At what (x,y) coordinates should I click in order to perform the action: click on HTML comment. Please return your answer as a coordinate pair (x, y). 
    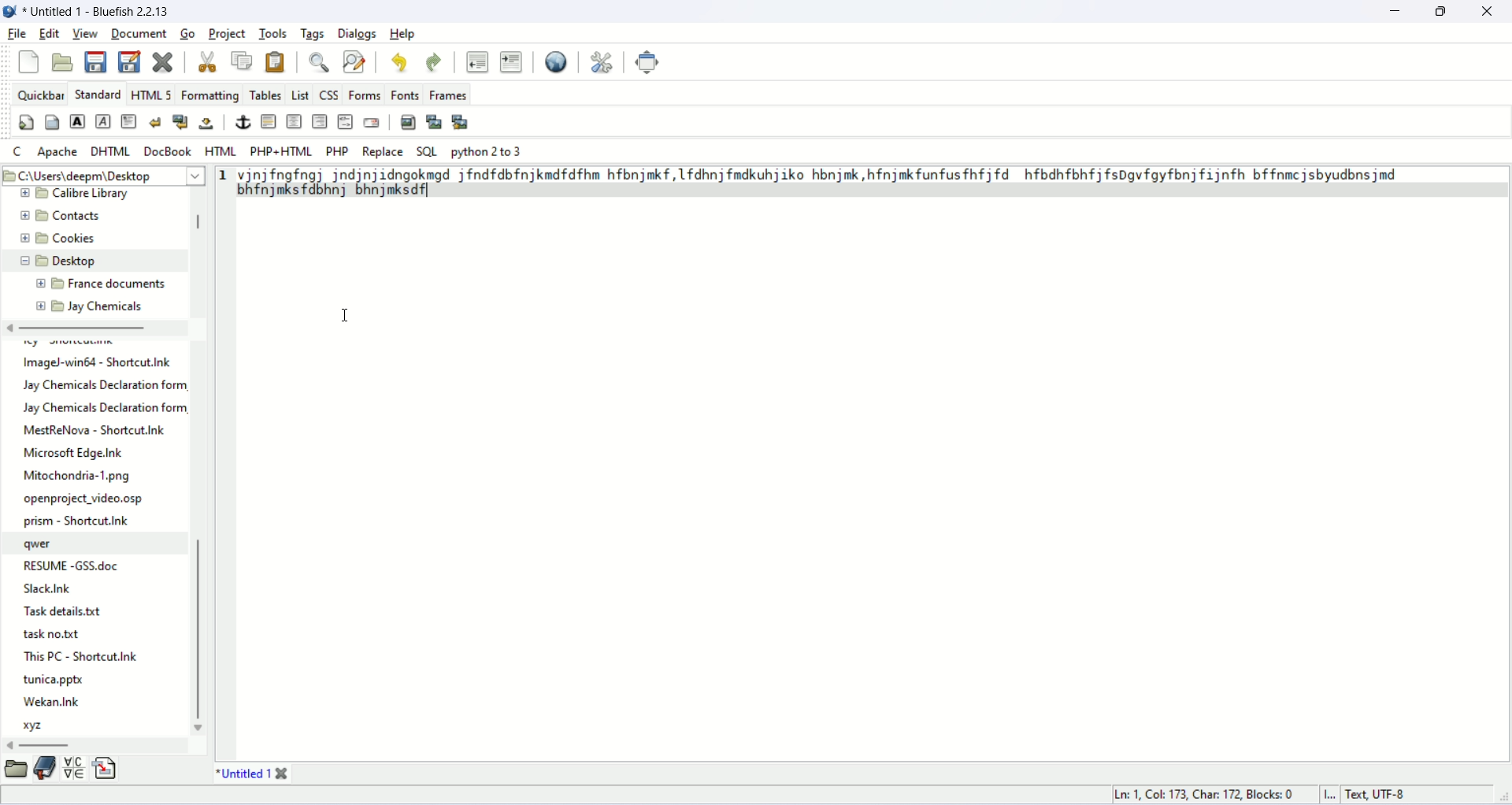
    Looking at the image, I should click on (346, 121).